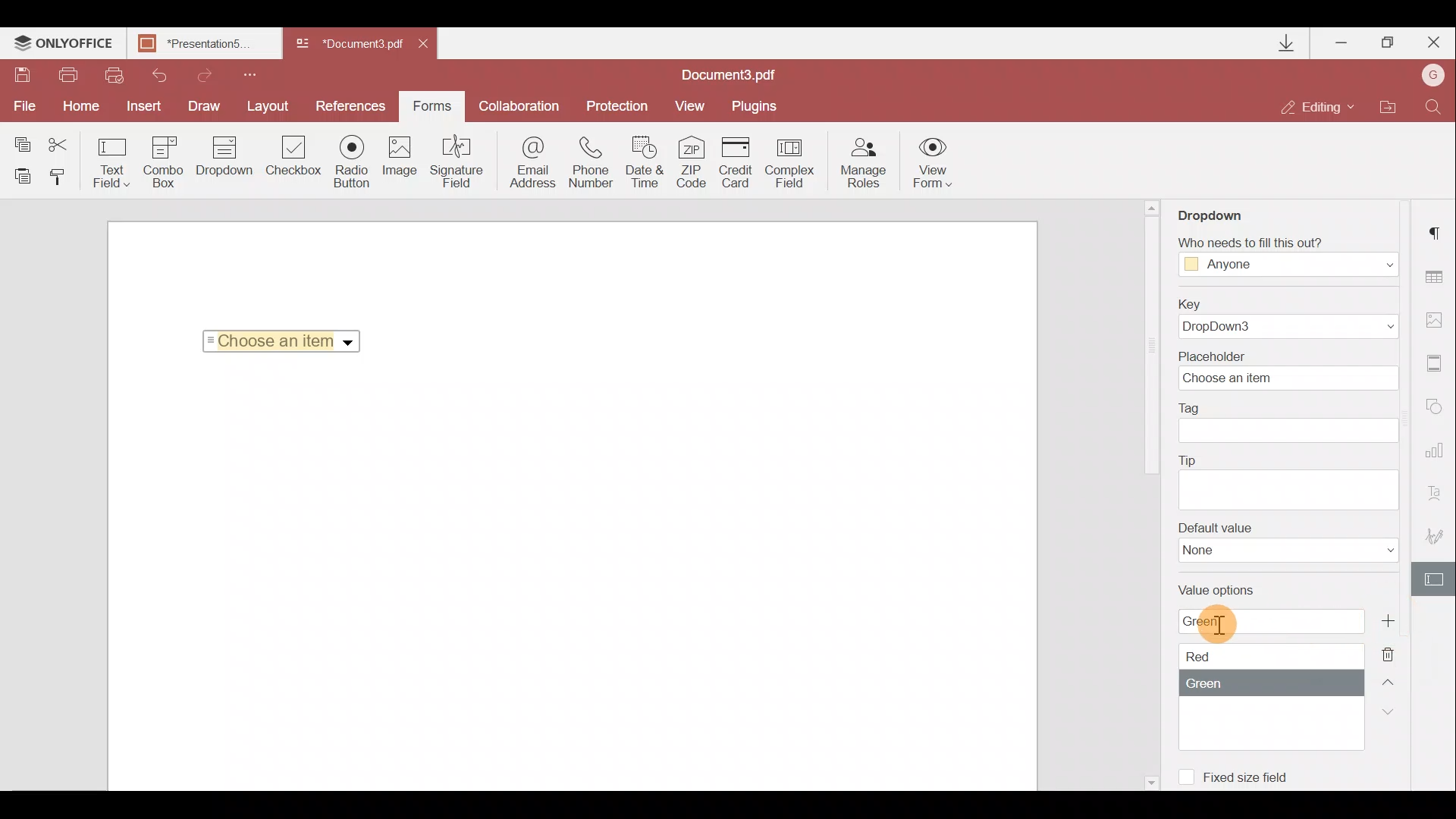  Describe the element at coordinates (1392, 650) in the screenshot. I see `Remove` at that location.